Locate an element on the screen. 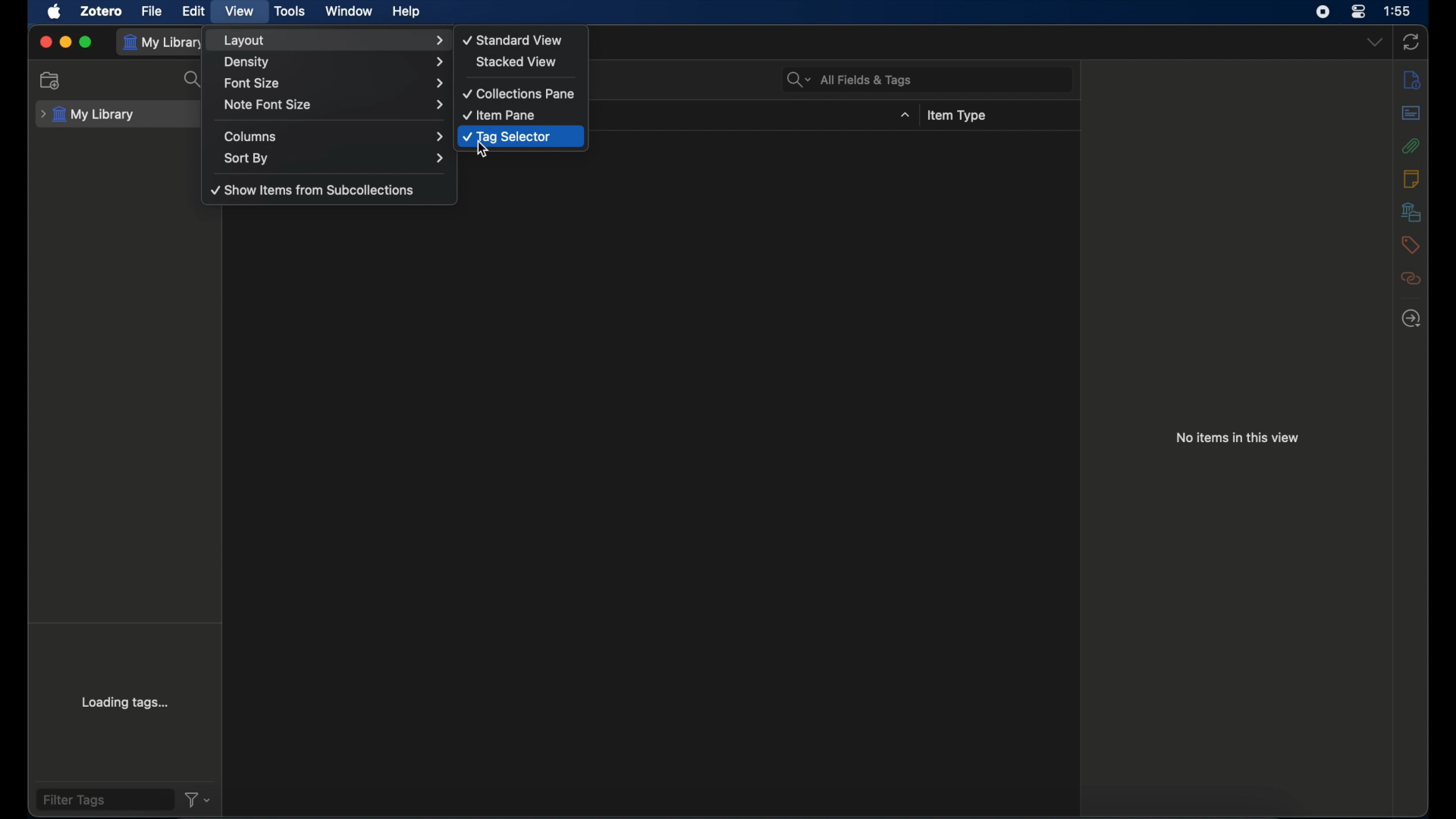 The width and height of the screenshot is (1456, 819). no items in this view is located at coordinates (1237, 438).